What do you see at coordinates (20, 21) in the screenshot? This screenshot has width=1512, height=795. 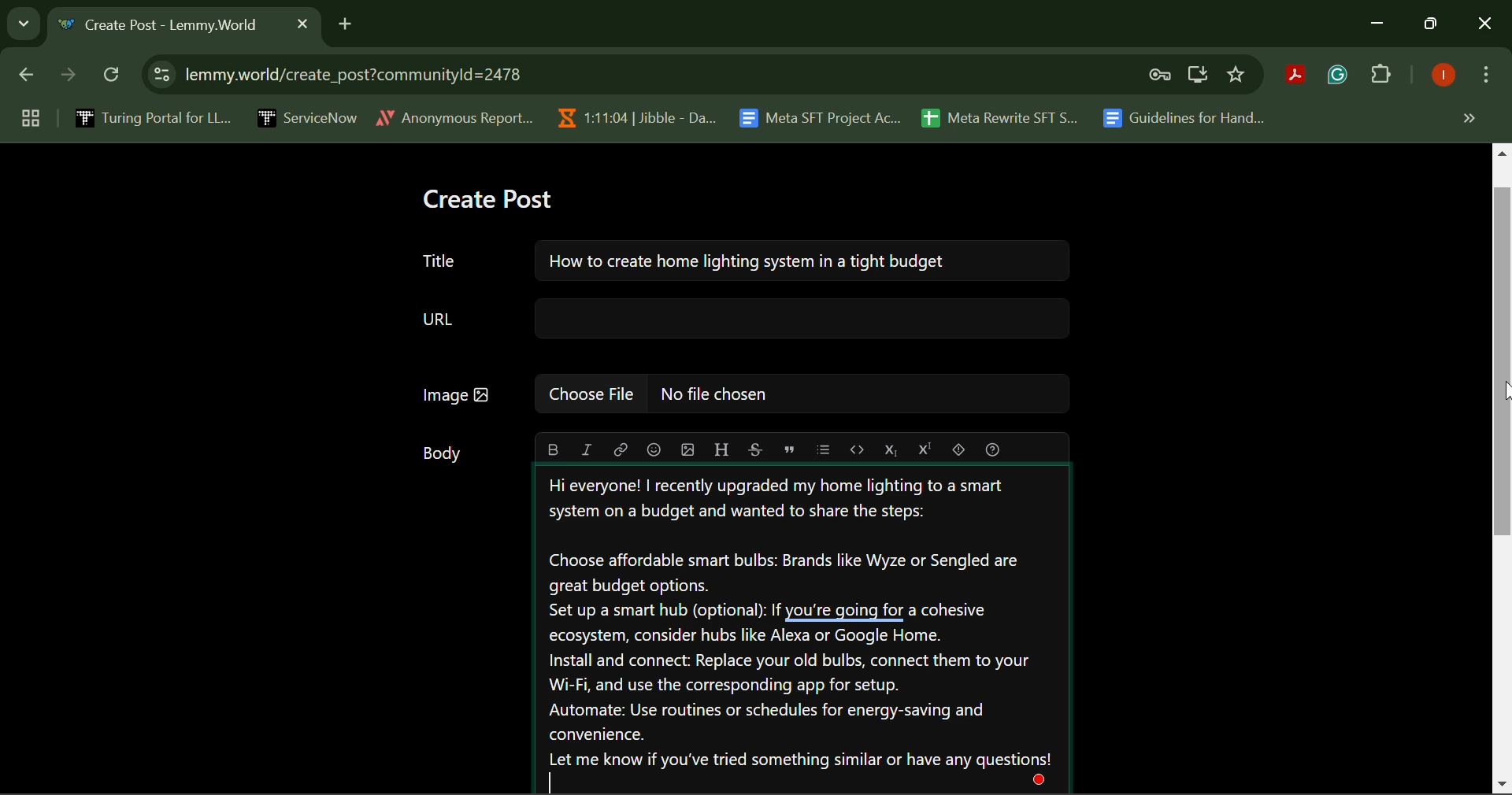 I see `Search Tabs` at bounding box center [20, 21].